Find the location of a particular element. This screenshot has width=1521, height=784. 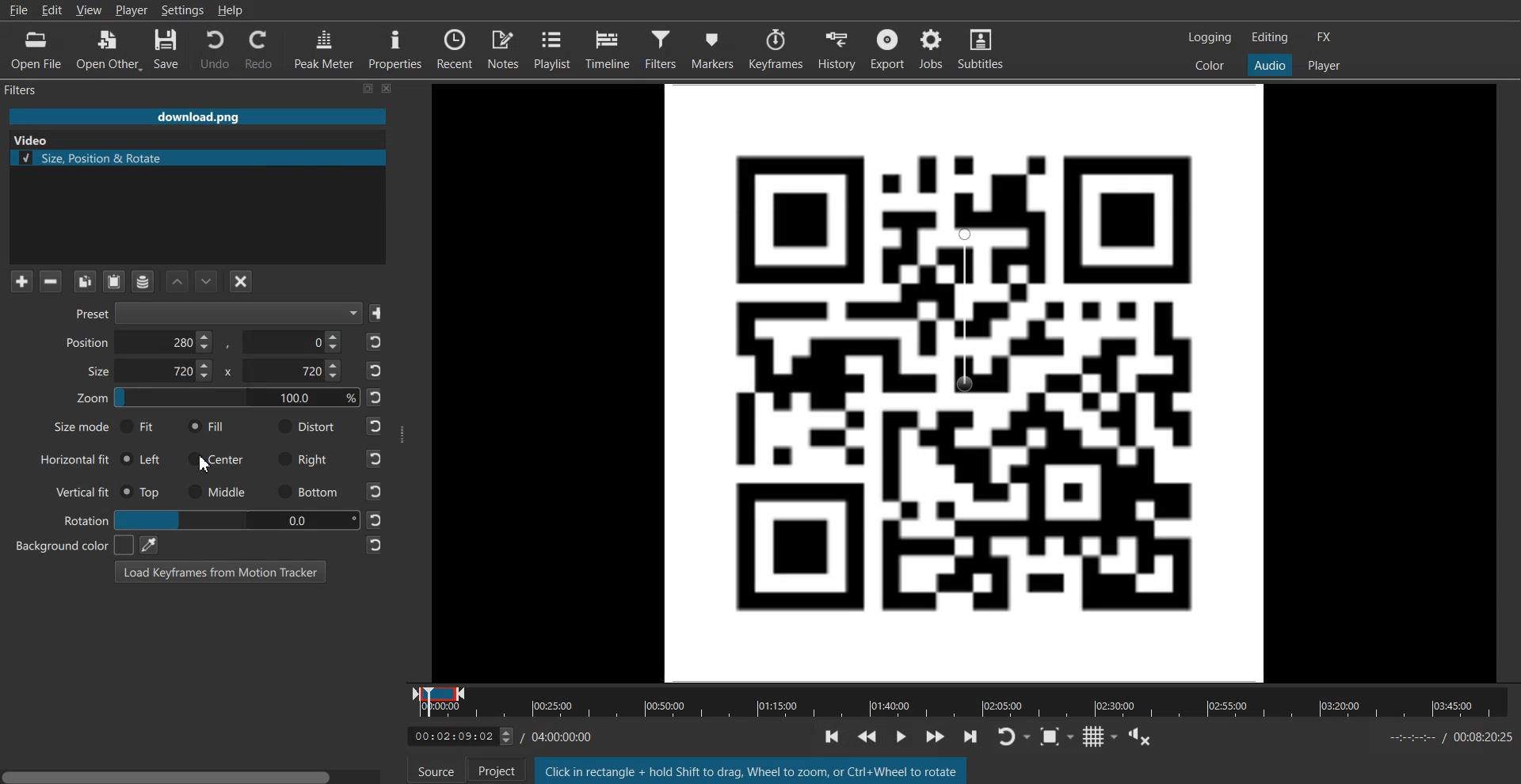

Skip to the next point is located at coordinates (975, 740).